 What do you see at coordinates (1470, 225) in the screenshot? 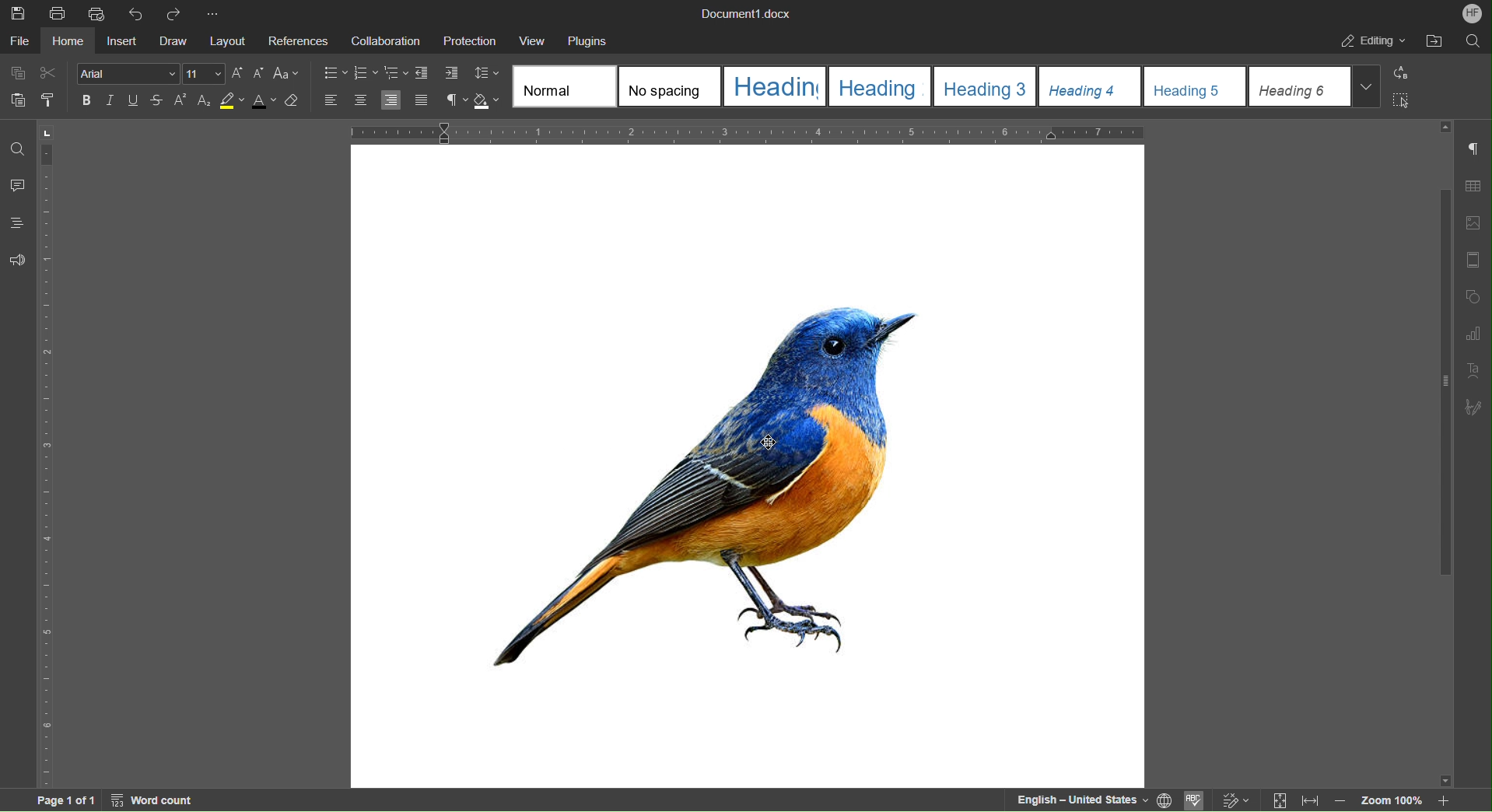
I see `Insert Image` at bounding box center [1470, 225].